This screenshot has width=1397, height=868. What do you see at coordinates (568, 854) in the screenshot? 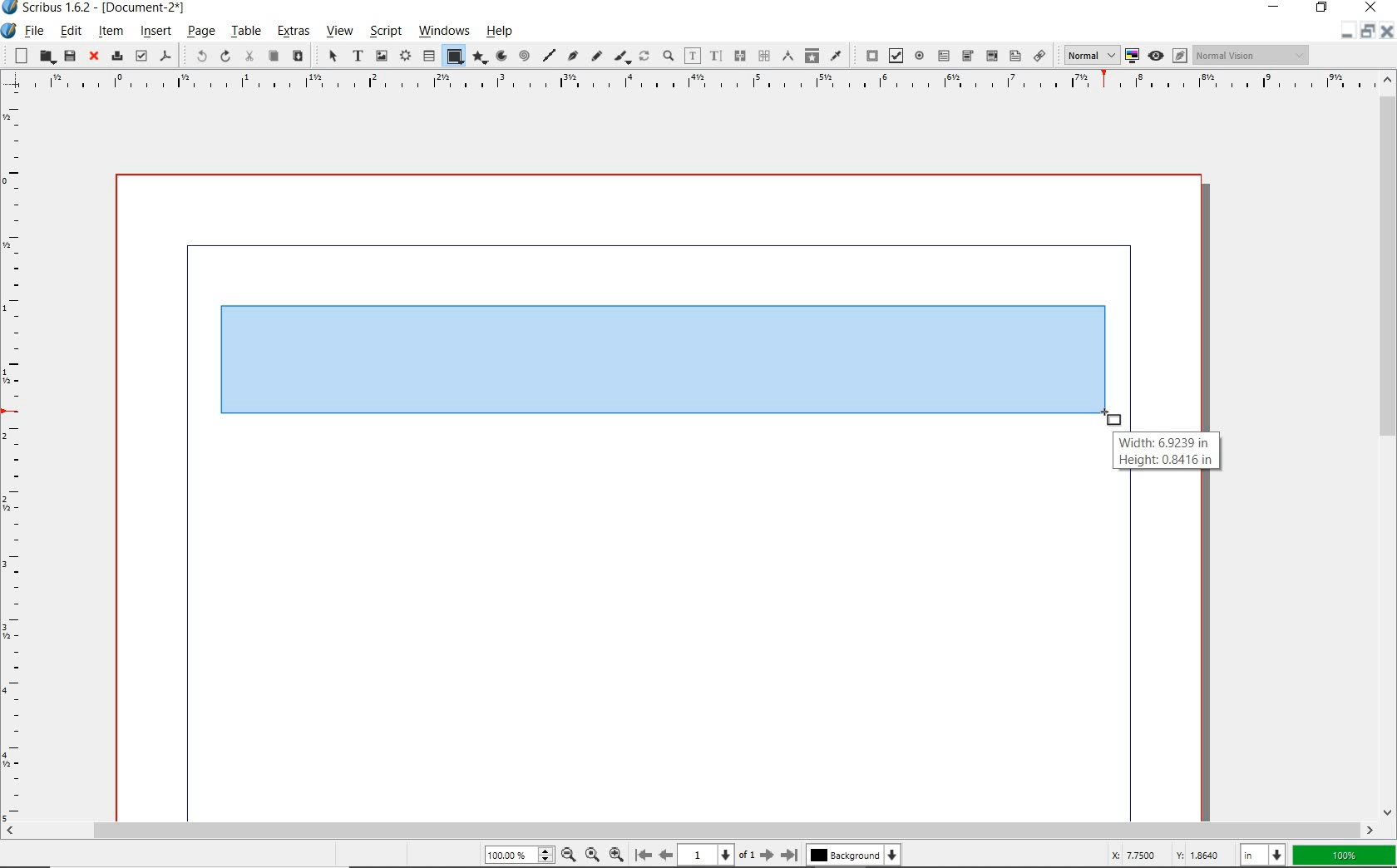
I see `zoom in` at bounding box center [568, 854].